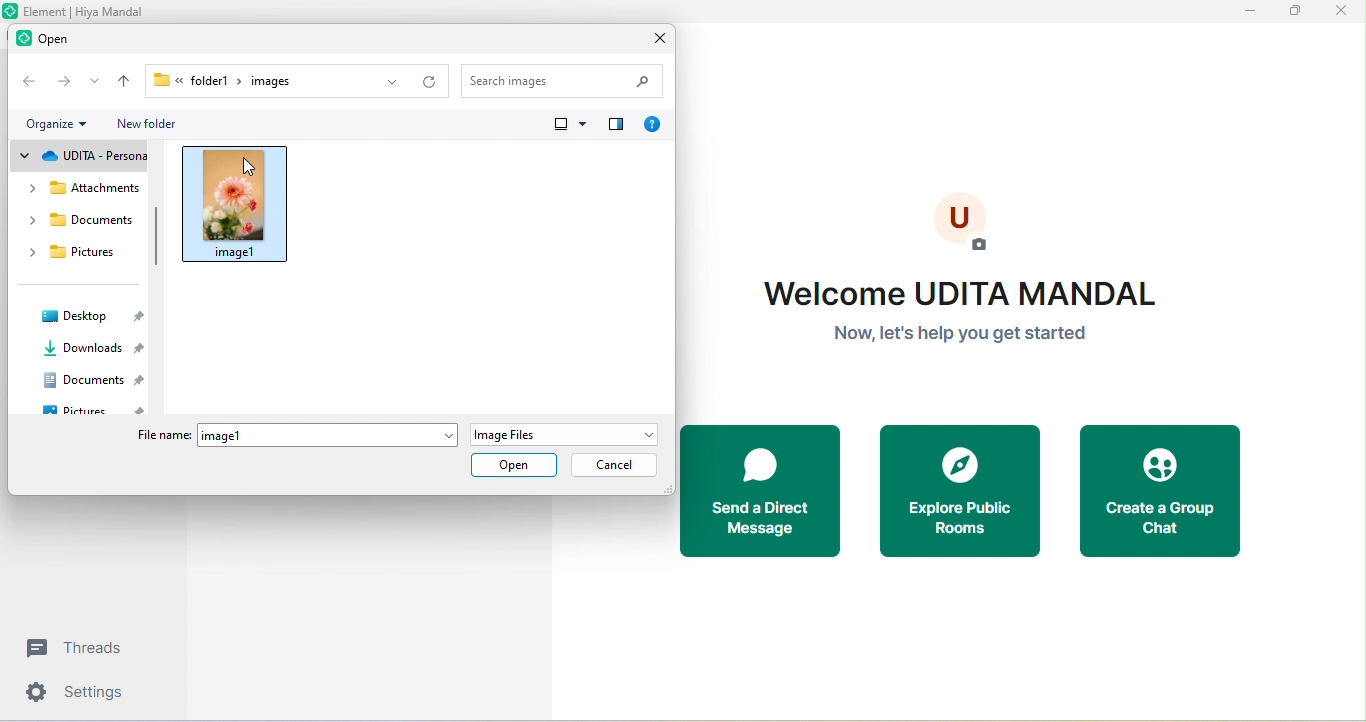 This screenshot has height=722, width=1366. I want to click on close, so click(654, 37).